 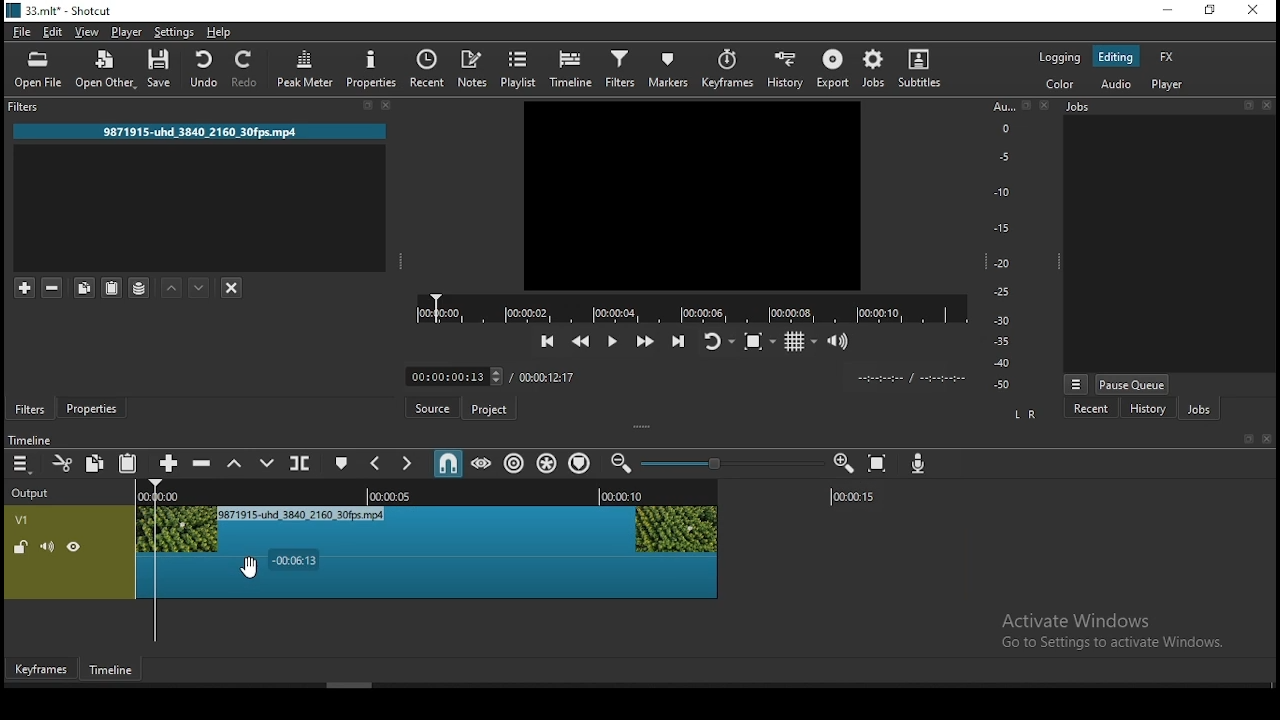 What do you see at coordinates (619, 70) in the screenshot?
I see `filters` at bounding box center [619, 70].